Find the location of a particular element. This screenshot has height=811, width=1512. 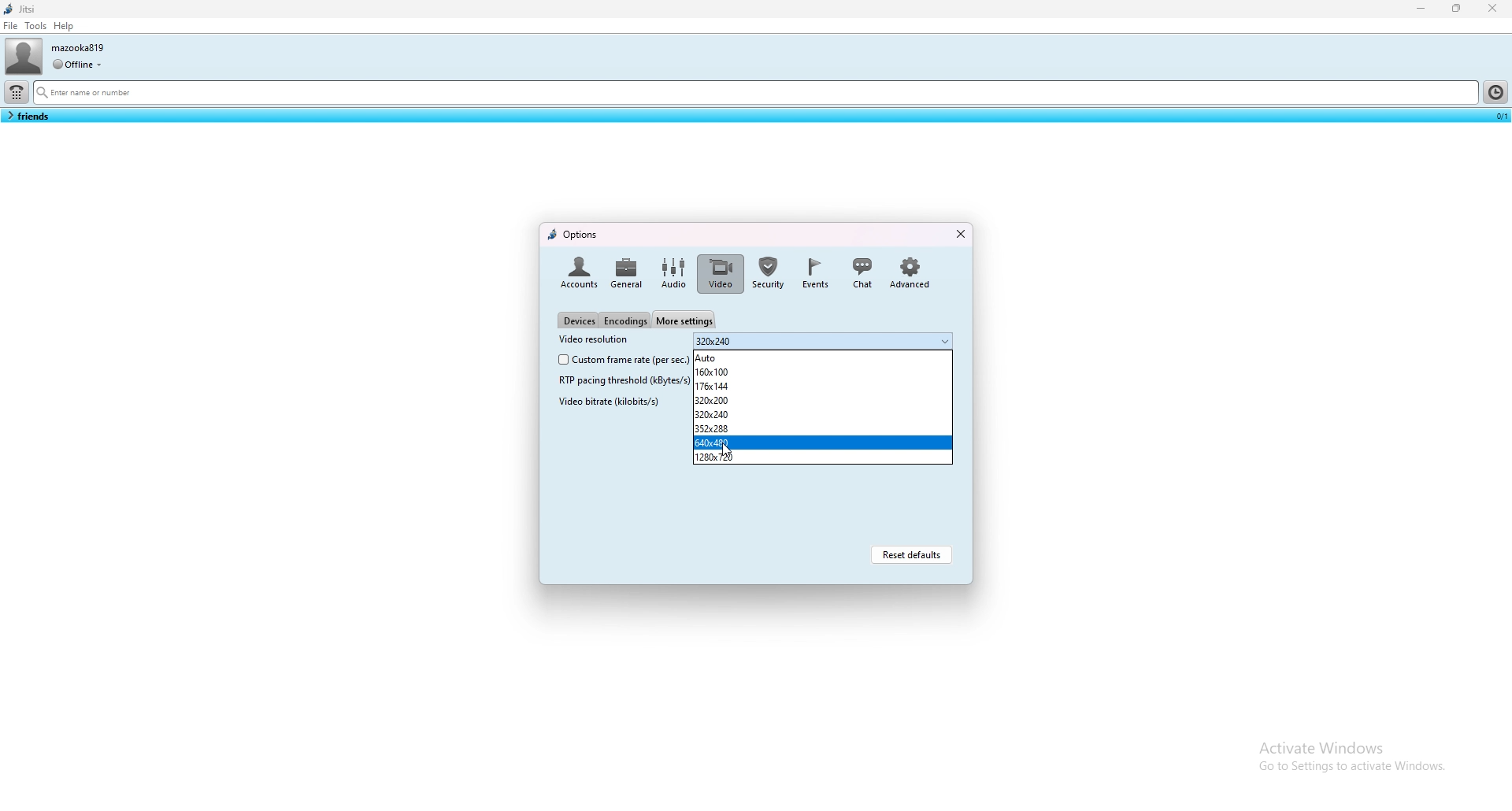

320x240 is located at coordinates (823, 341).